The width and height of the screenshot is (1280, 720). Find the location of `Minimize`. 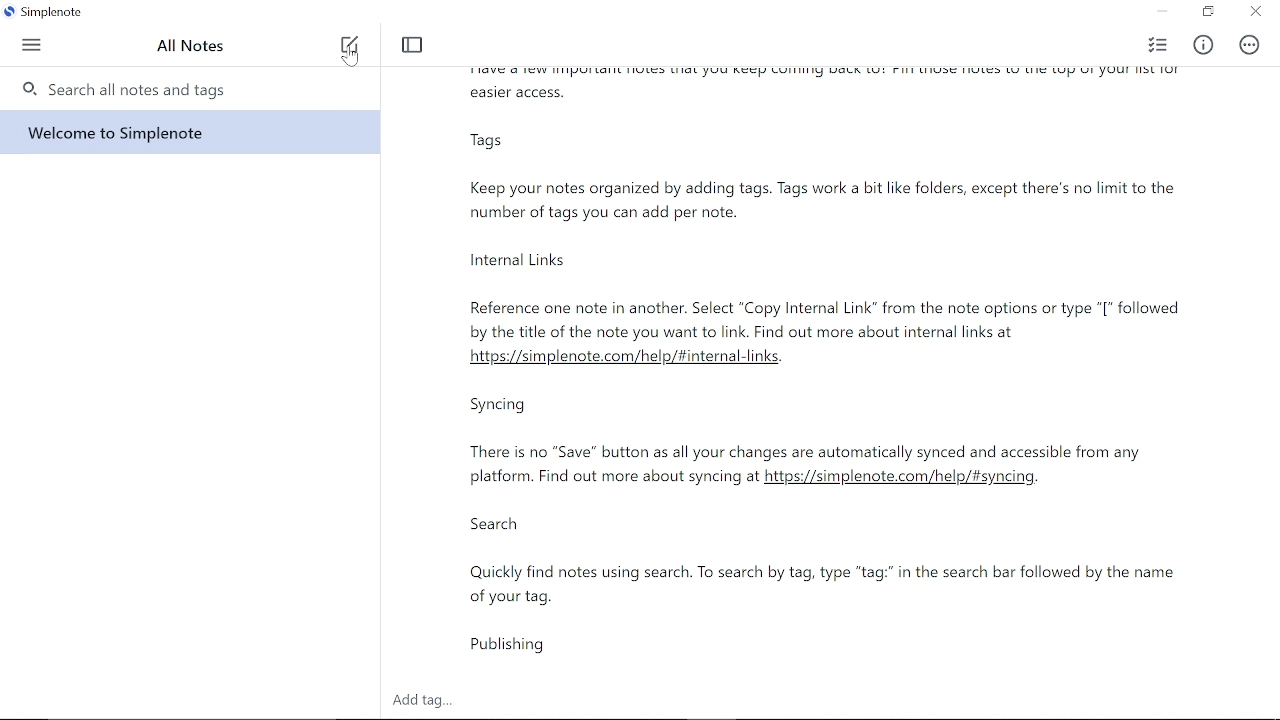

Minimize is located at coordinates (1158, 14).